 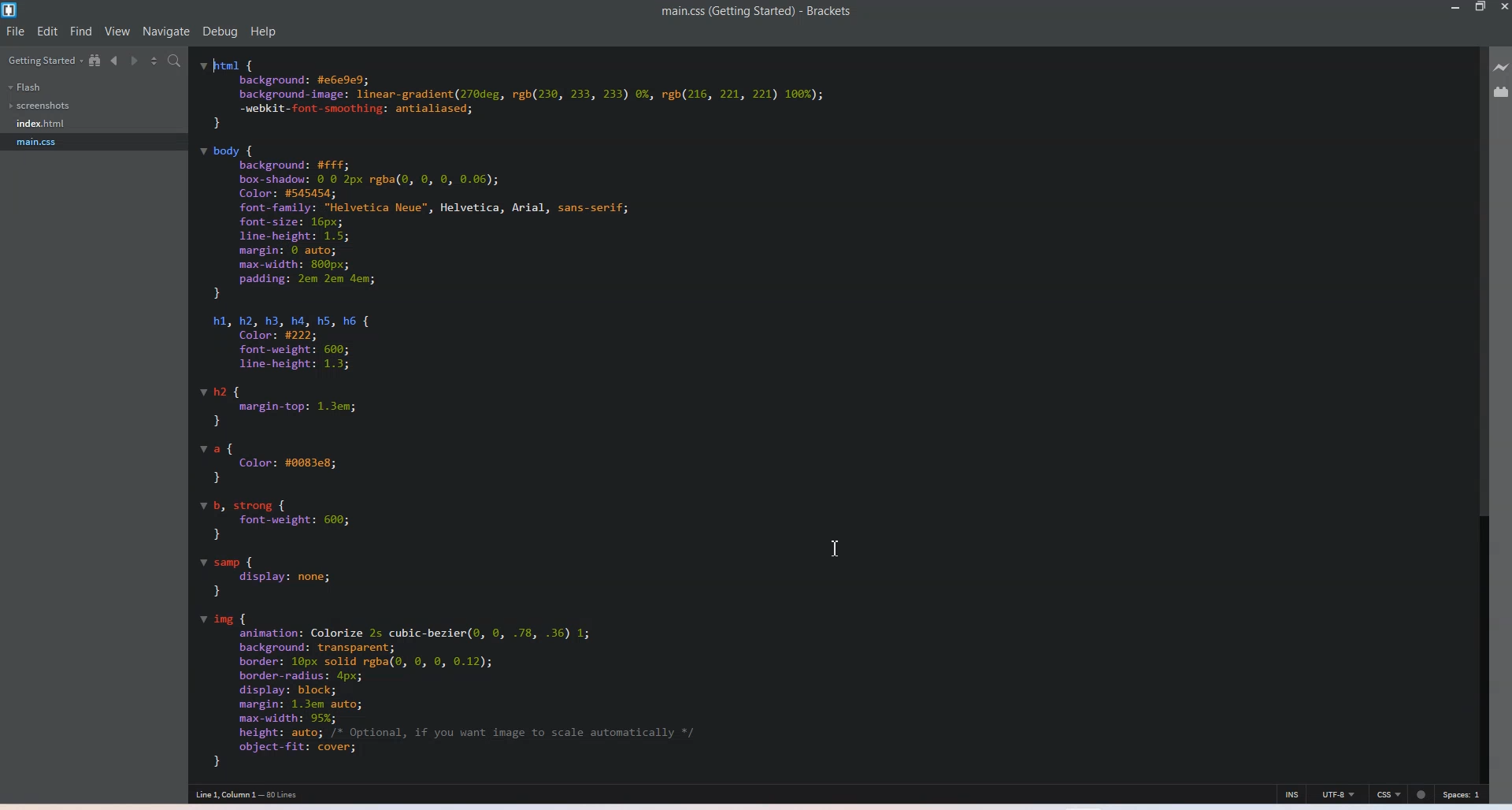 I want to click on Navigate, so click(x=168, y=32).